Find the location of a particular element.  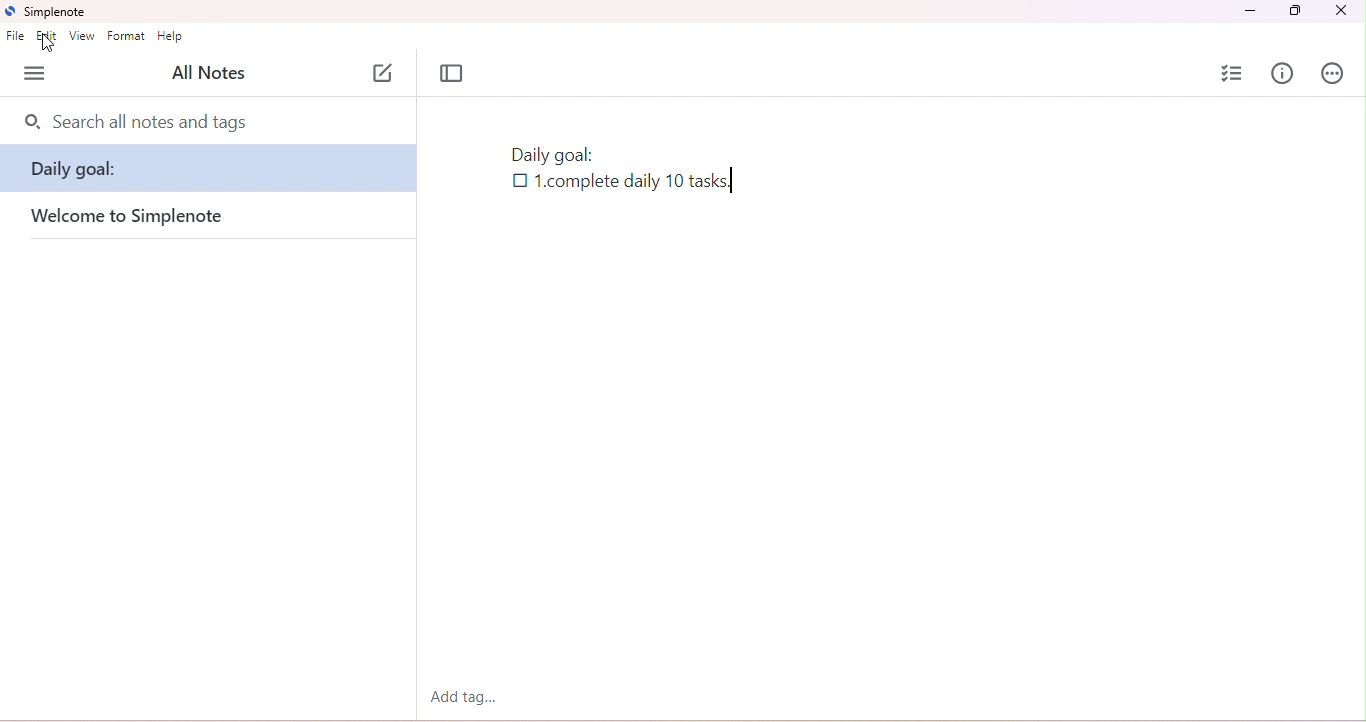

info is located at coordinates (1282, 72).